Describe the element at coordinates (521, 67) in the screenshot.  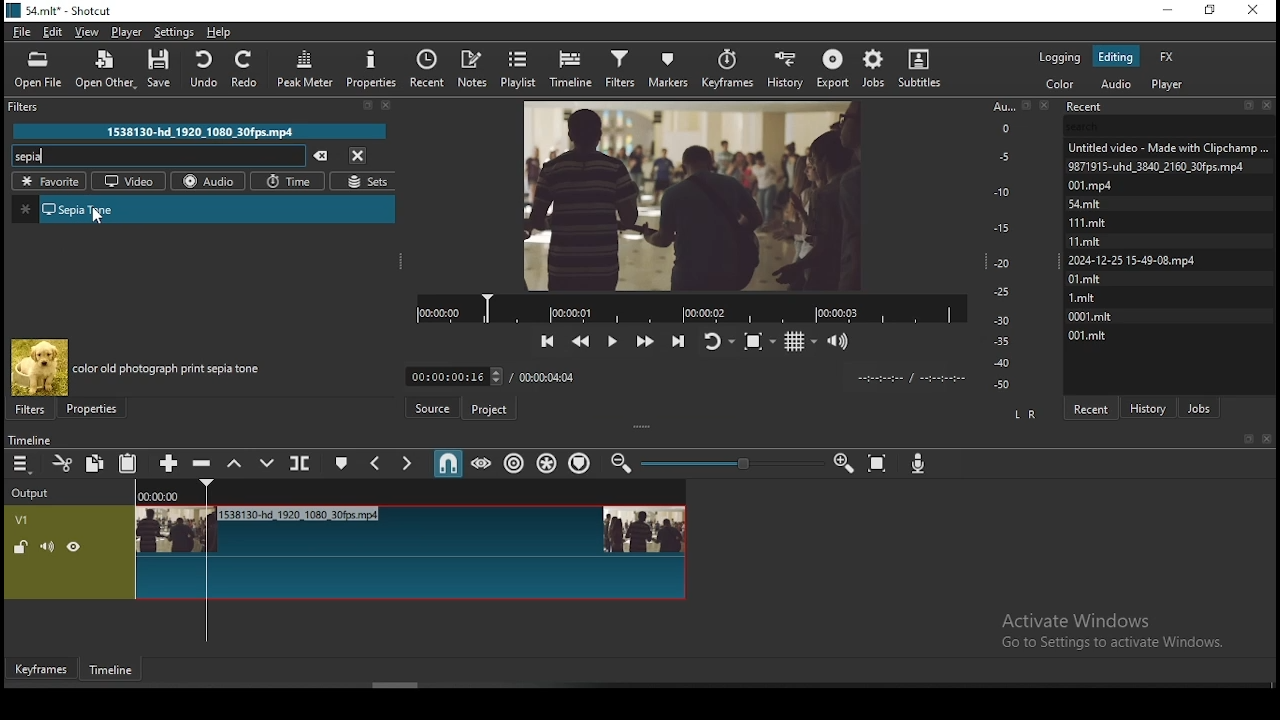
I see `playlist` at that location.